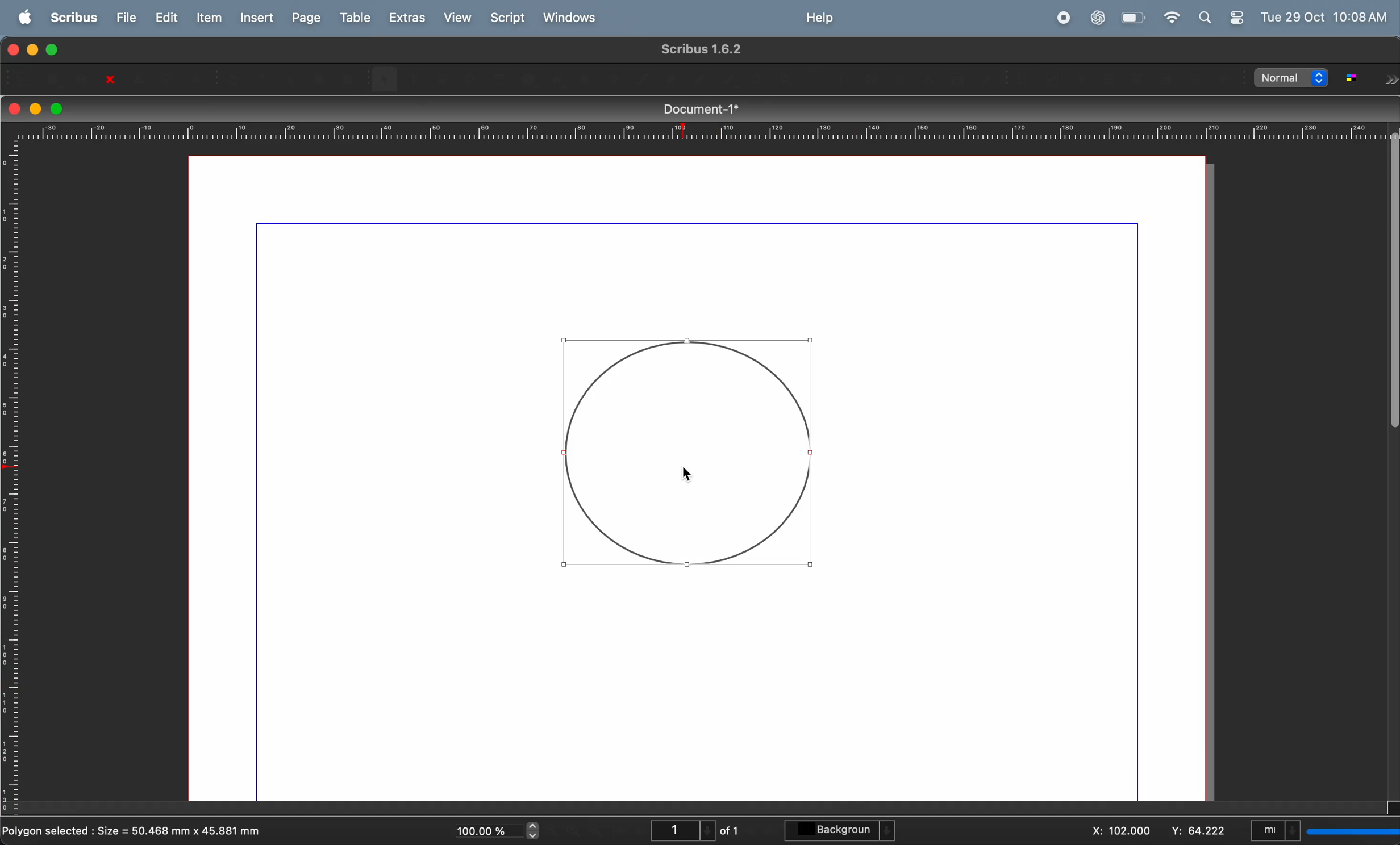 This screenshot has height=845, width=1400. I want to click on page, so click(305, 18).